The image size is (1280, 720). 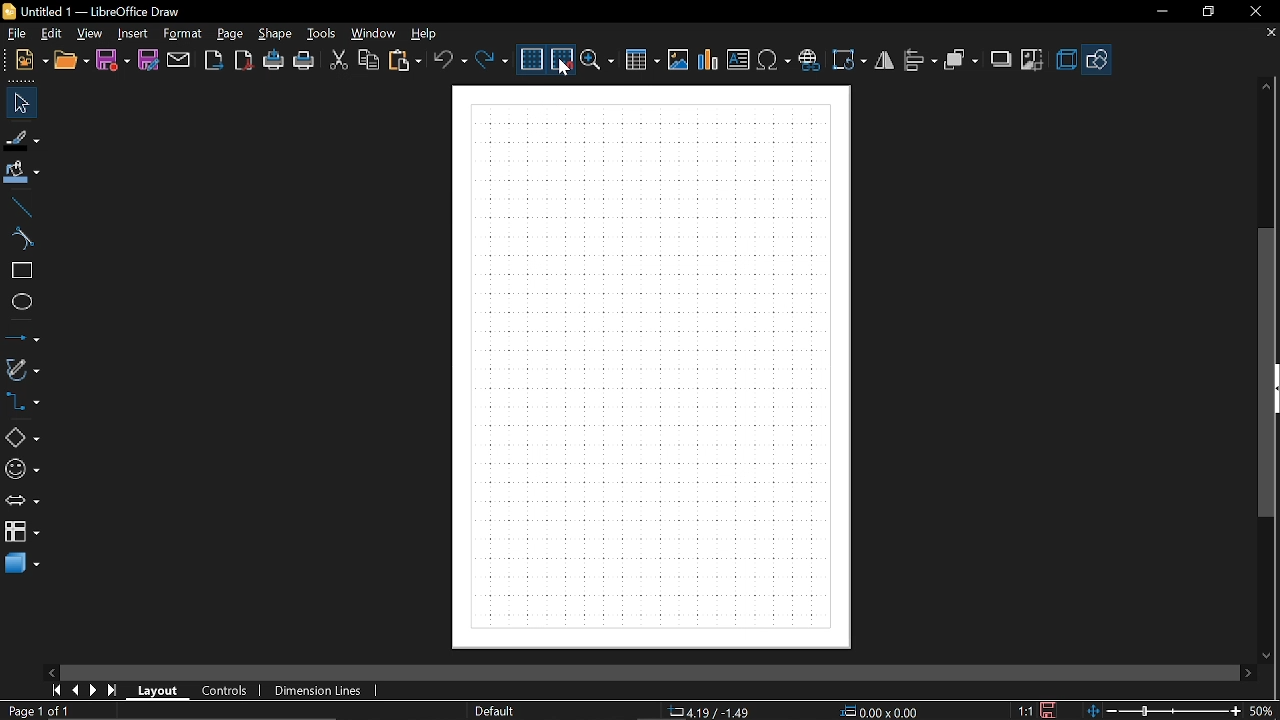 What do you see at coordinates (275, 61) in the screenshot?
I see `Print directly` at bounding box center [275, 61].